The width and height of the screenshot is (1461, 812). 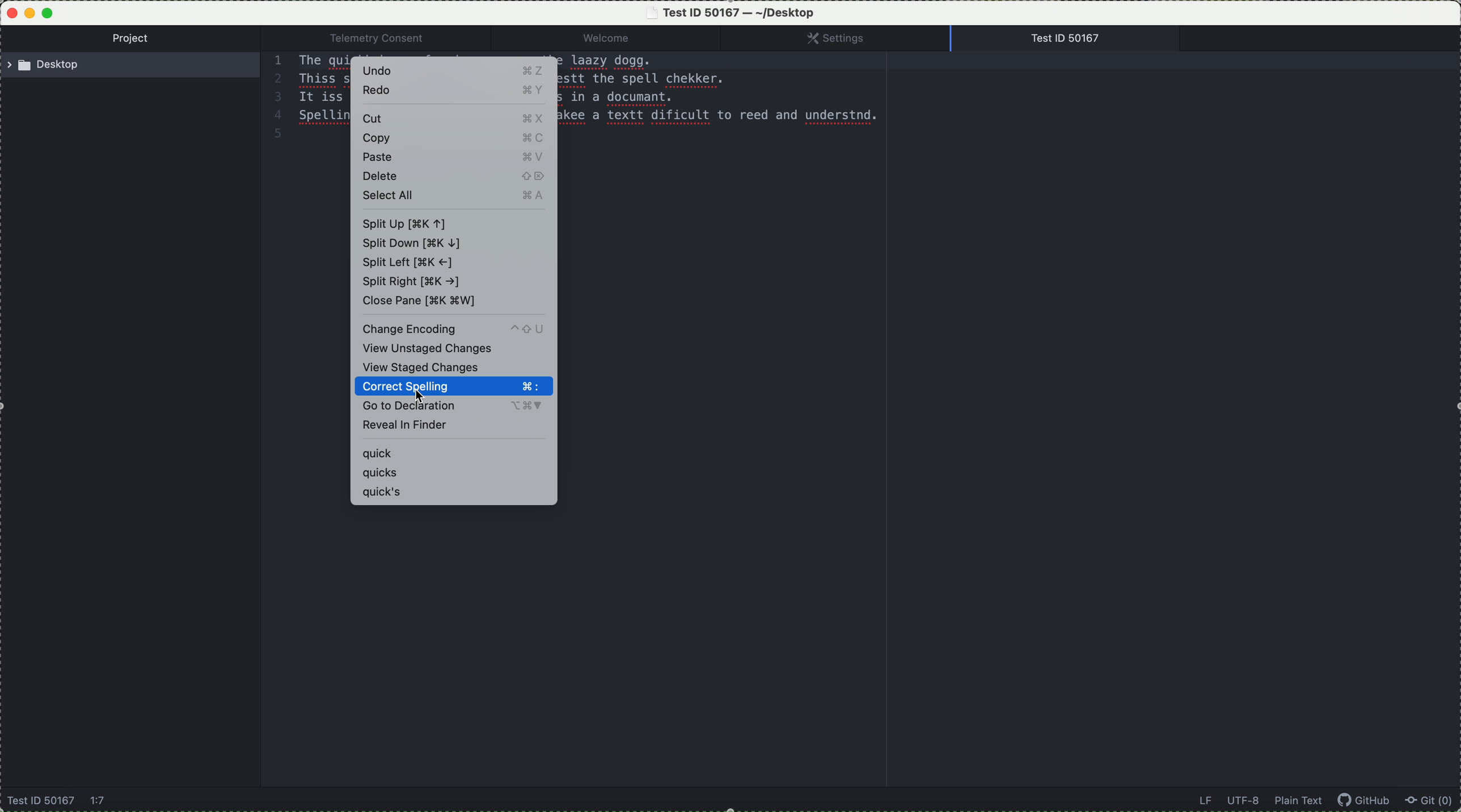 What do you see at coordinates (40, 802) in the screenshot?
I see `name file` at bounding box center [40, 802].